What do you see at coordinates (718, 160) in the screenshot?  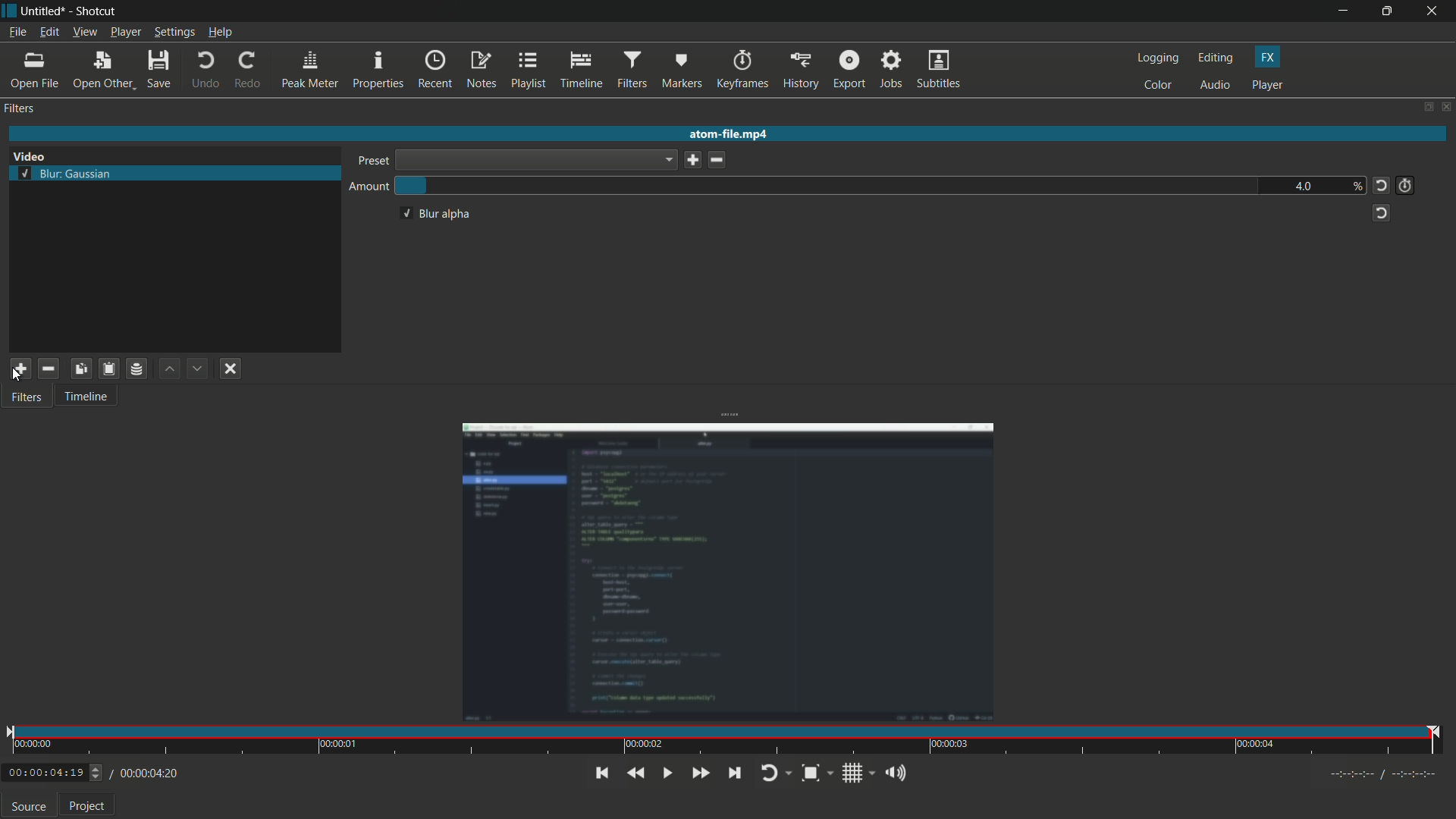 I see `delete` at bounding box center [718, 160].